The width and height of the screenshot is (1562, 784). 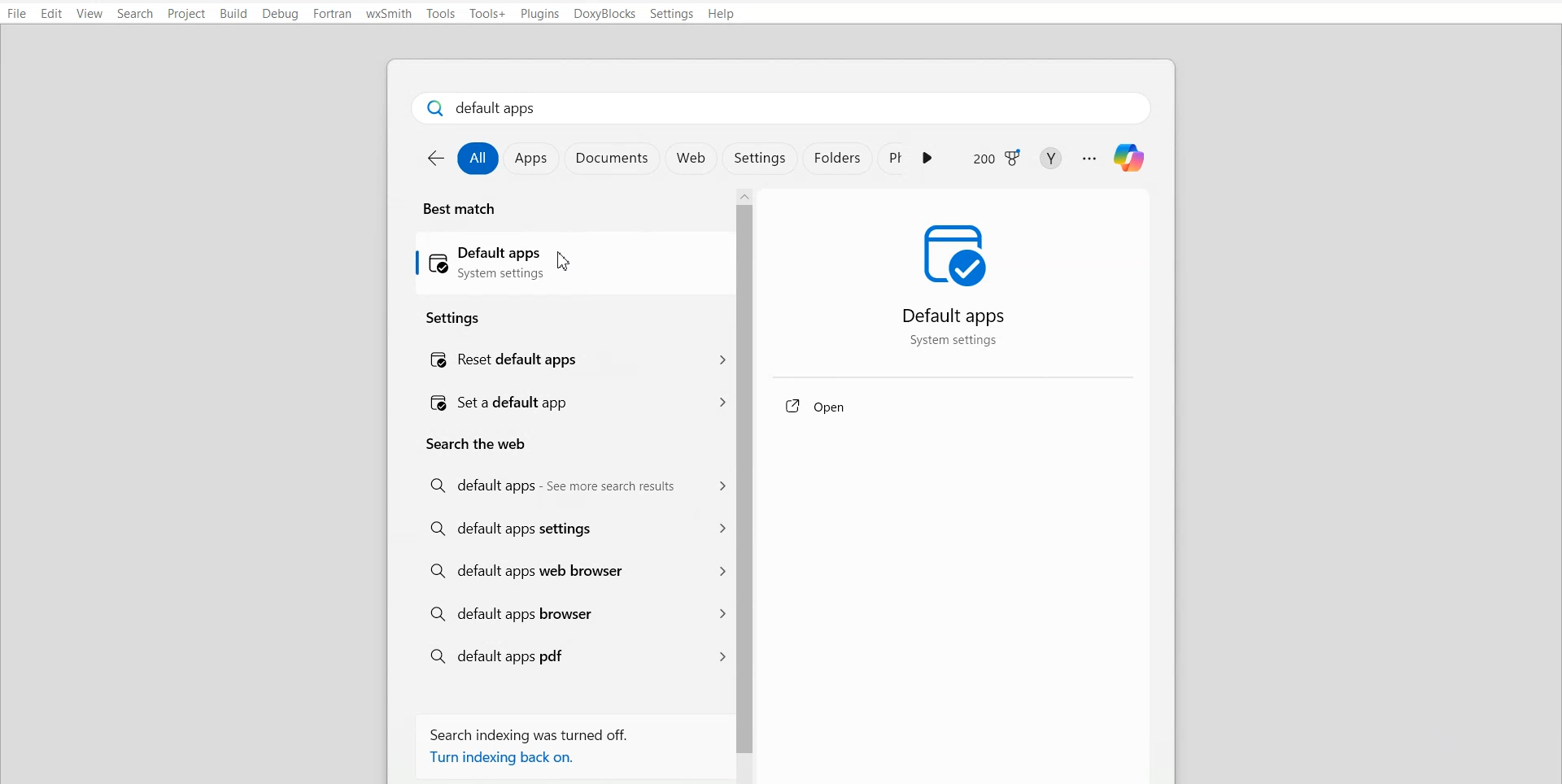 What do you see at coordinates (454, 316) in the screenshot?
I see `Text` at bounding box center [454, 316].